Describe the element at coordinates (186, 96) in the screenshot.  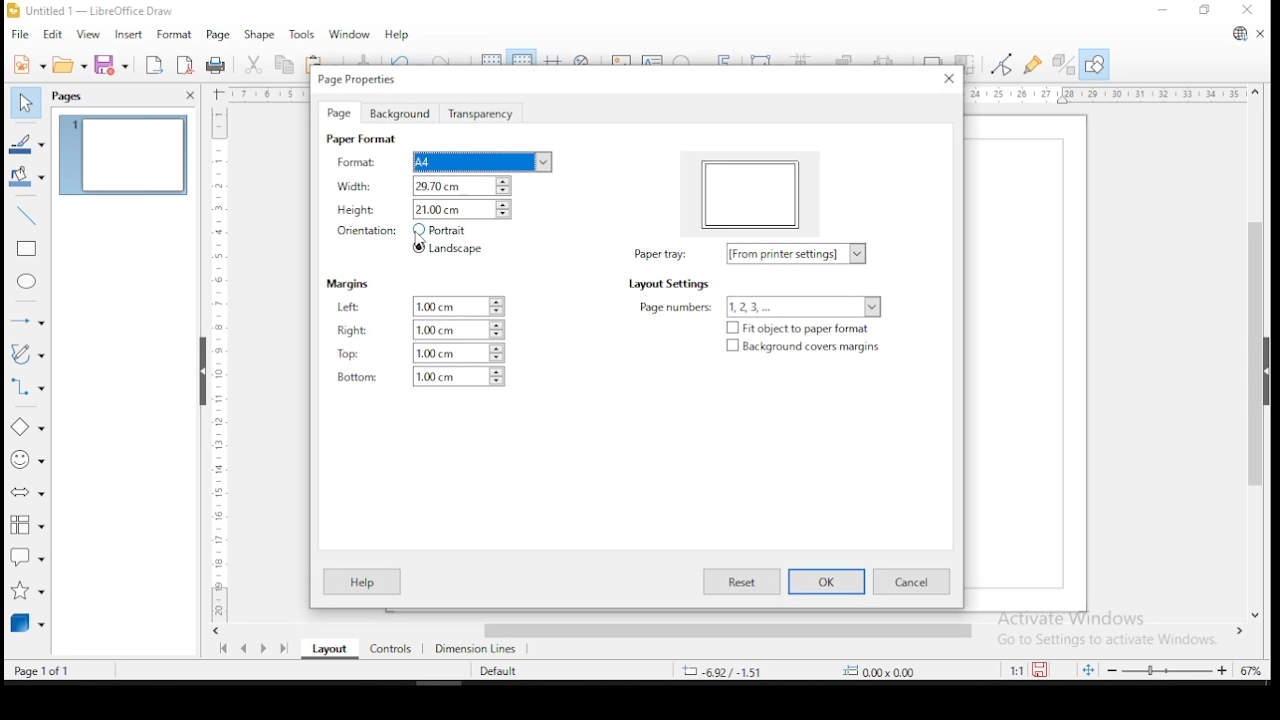
I see `close pane` at that location.